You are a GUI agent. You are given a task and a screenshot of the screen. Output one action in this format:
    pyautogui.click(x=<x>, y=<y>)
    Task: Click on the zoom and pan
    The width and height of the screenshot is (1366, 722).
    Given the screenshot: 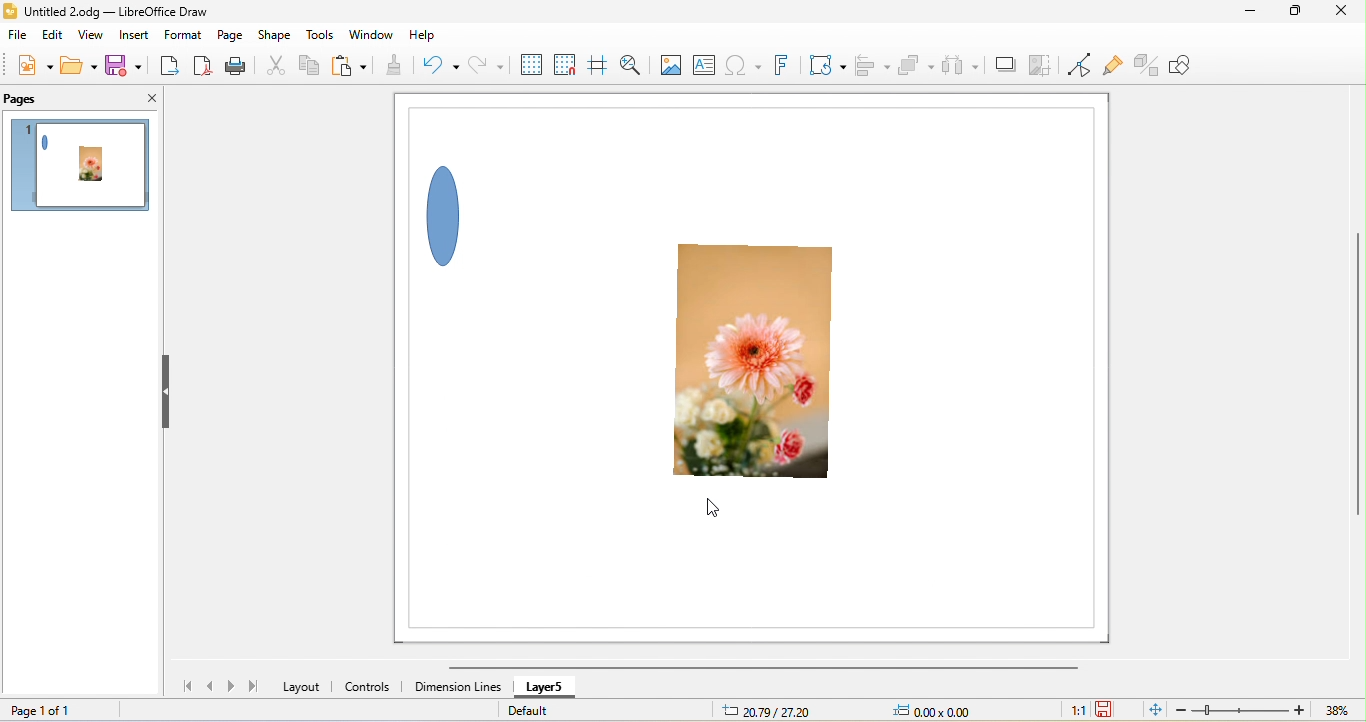 What is the action you would take?
    pyautogui.click(x=619, y=65)
    